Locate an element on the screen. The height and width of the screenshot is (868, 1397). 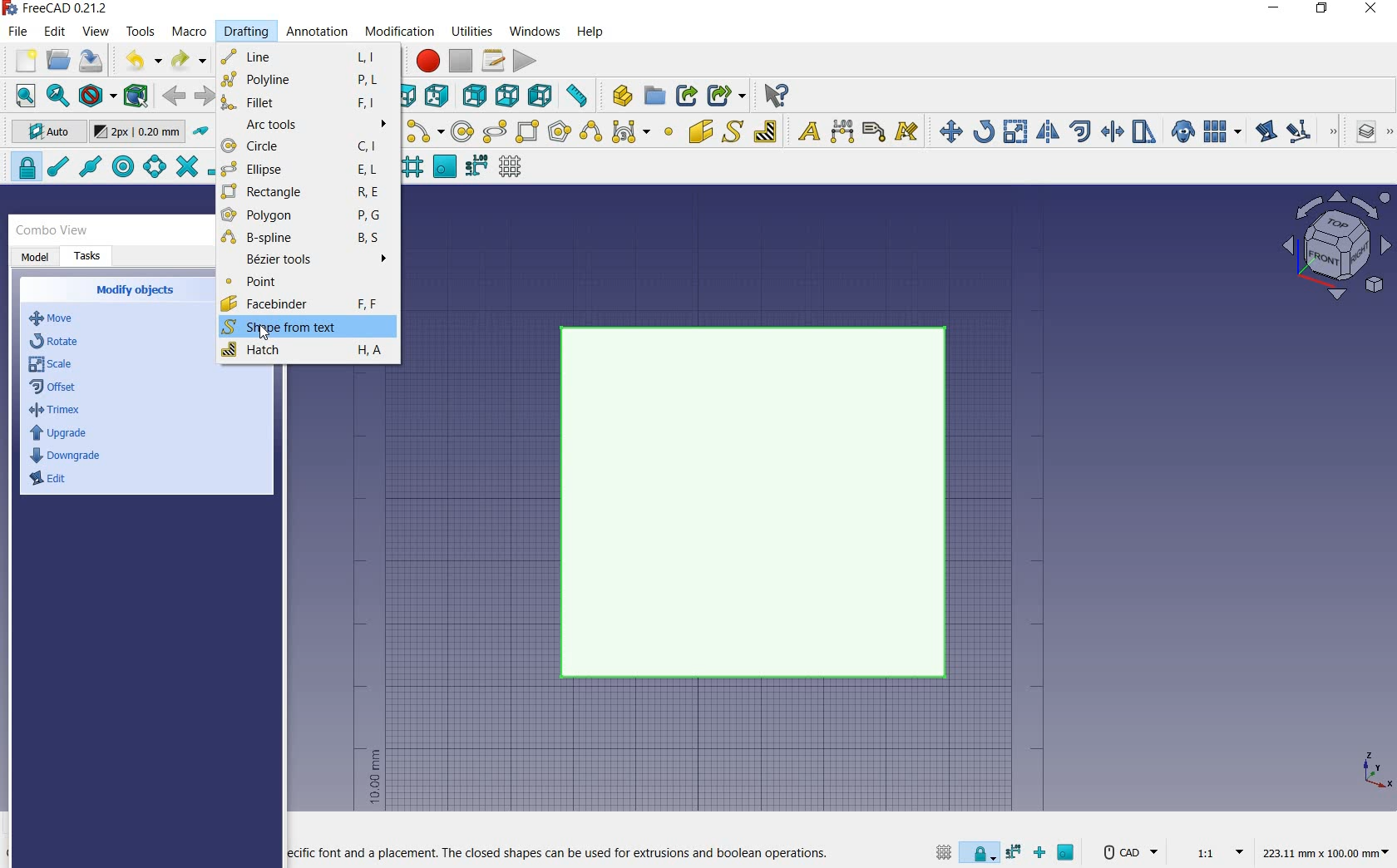
model is located at coordinates (36, 258).